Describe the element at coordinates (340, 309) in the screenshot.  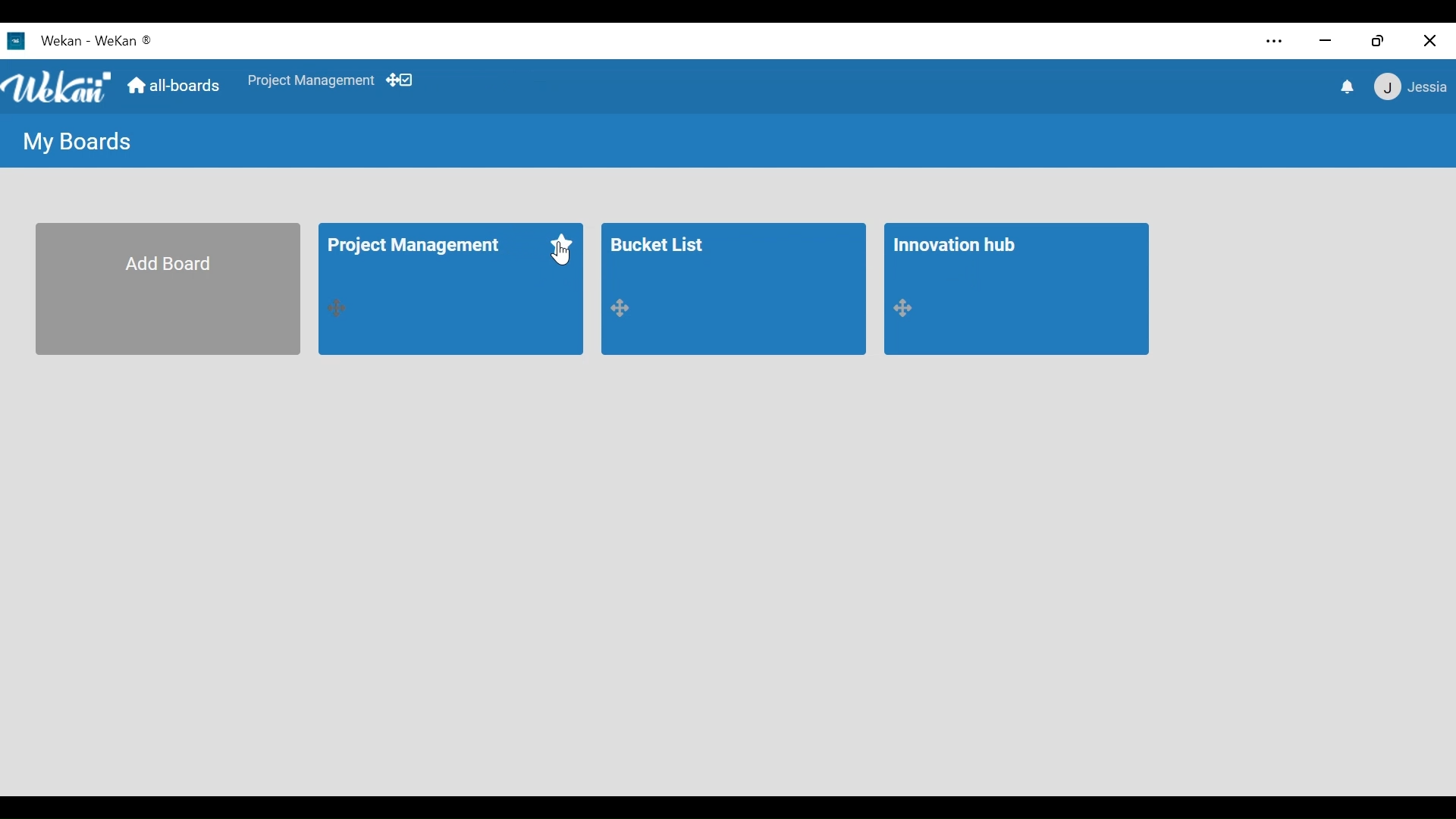
I see `Desktop drag handle` at that location.